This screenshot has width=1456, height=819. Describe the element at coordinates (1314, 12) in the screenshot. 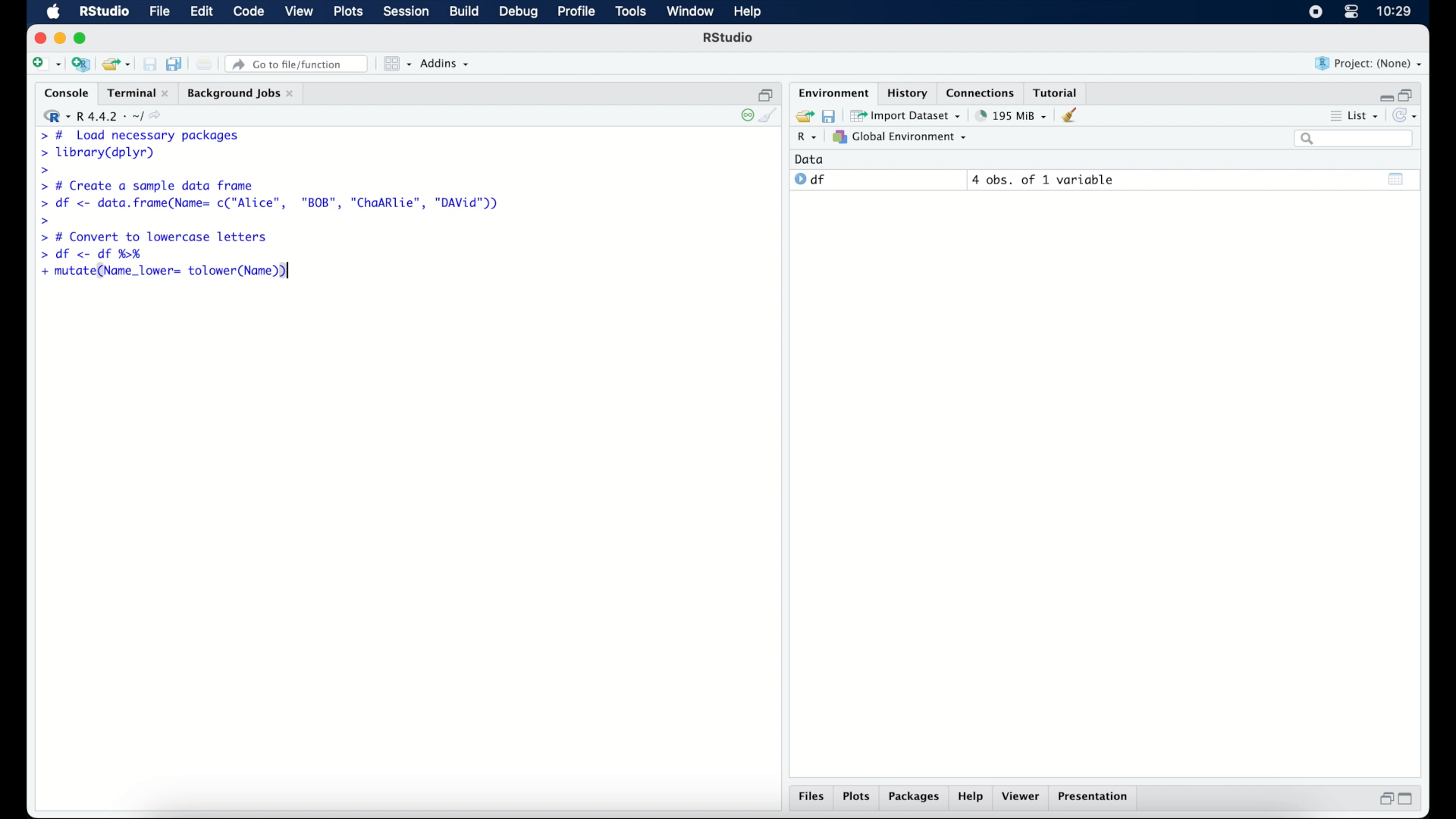

I see `screen recorder icon` at that location.